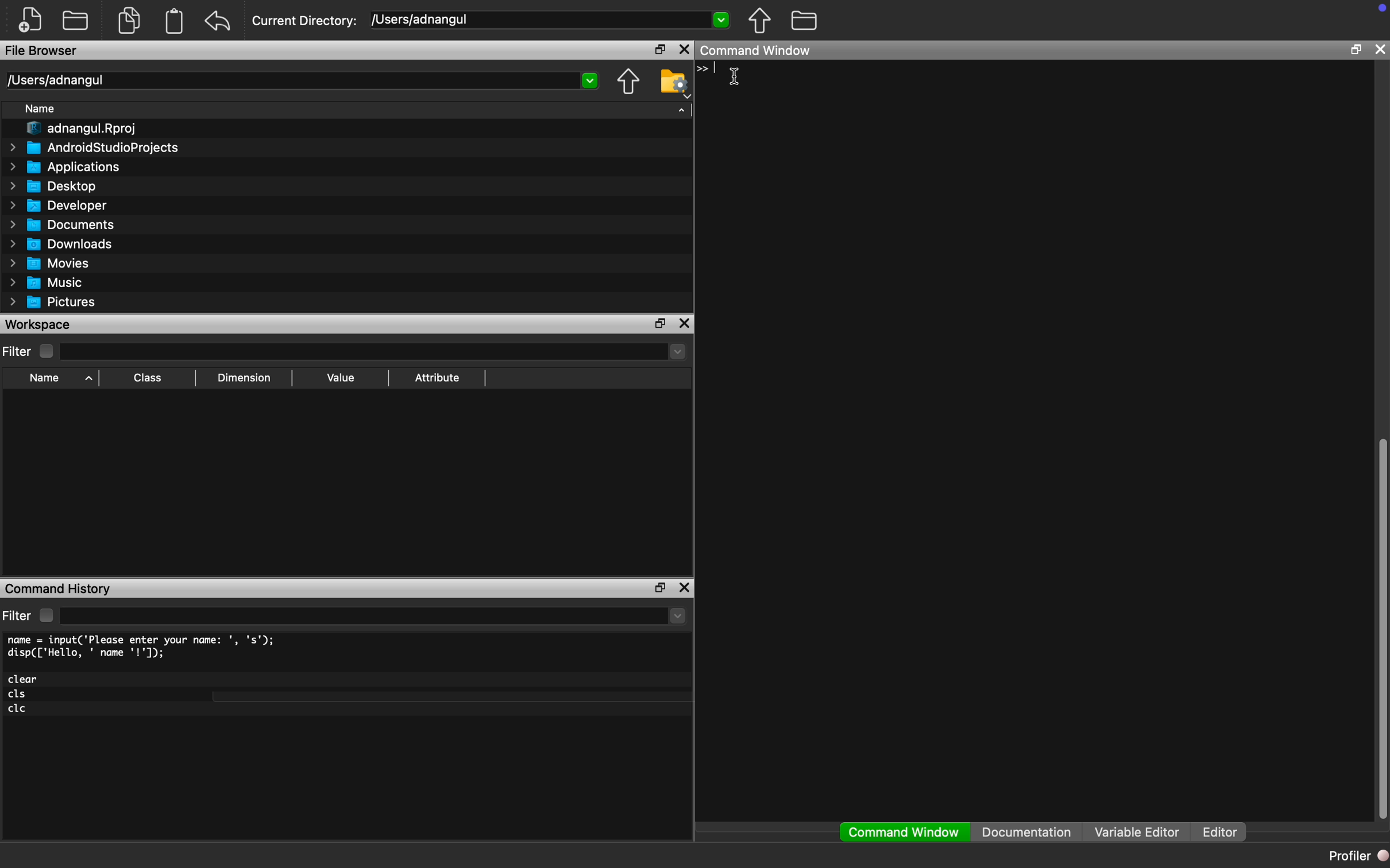 The height and width of the screenshot is (868, 1390). Describe the element at coordinates (83, 129) in the screenshot. I see `adnangul.Rproj` at that location.